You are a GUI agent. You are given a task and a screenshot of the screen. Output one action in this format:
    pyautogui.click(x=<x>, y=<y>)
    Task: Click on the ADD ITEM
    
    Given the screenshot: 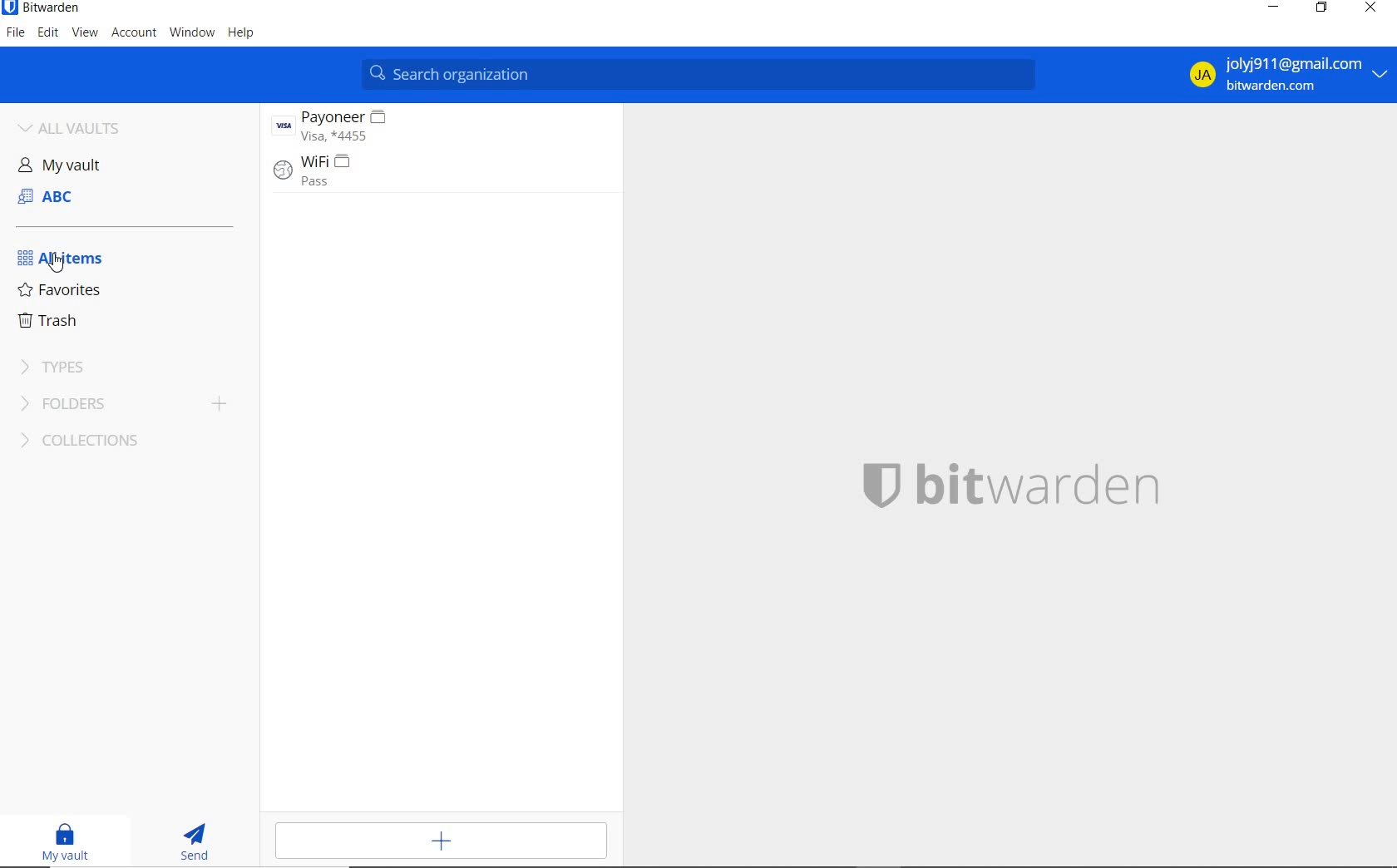 What is the action you would take?
    pyautogui.click(x=446, y=841)
    